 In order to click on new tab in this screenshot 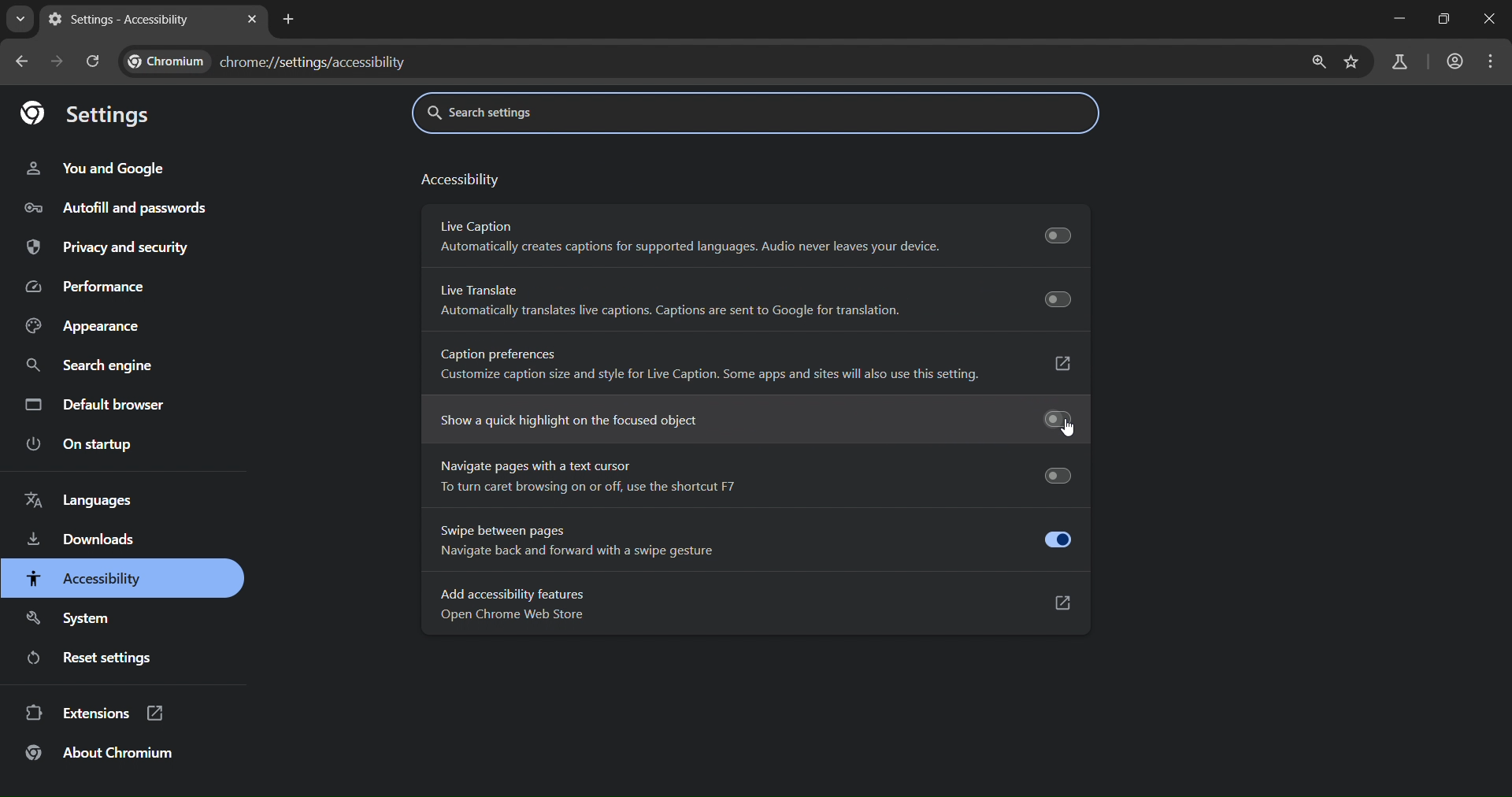, I will do `click(289, 21)`.